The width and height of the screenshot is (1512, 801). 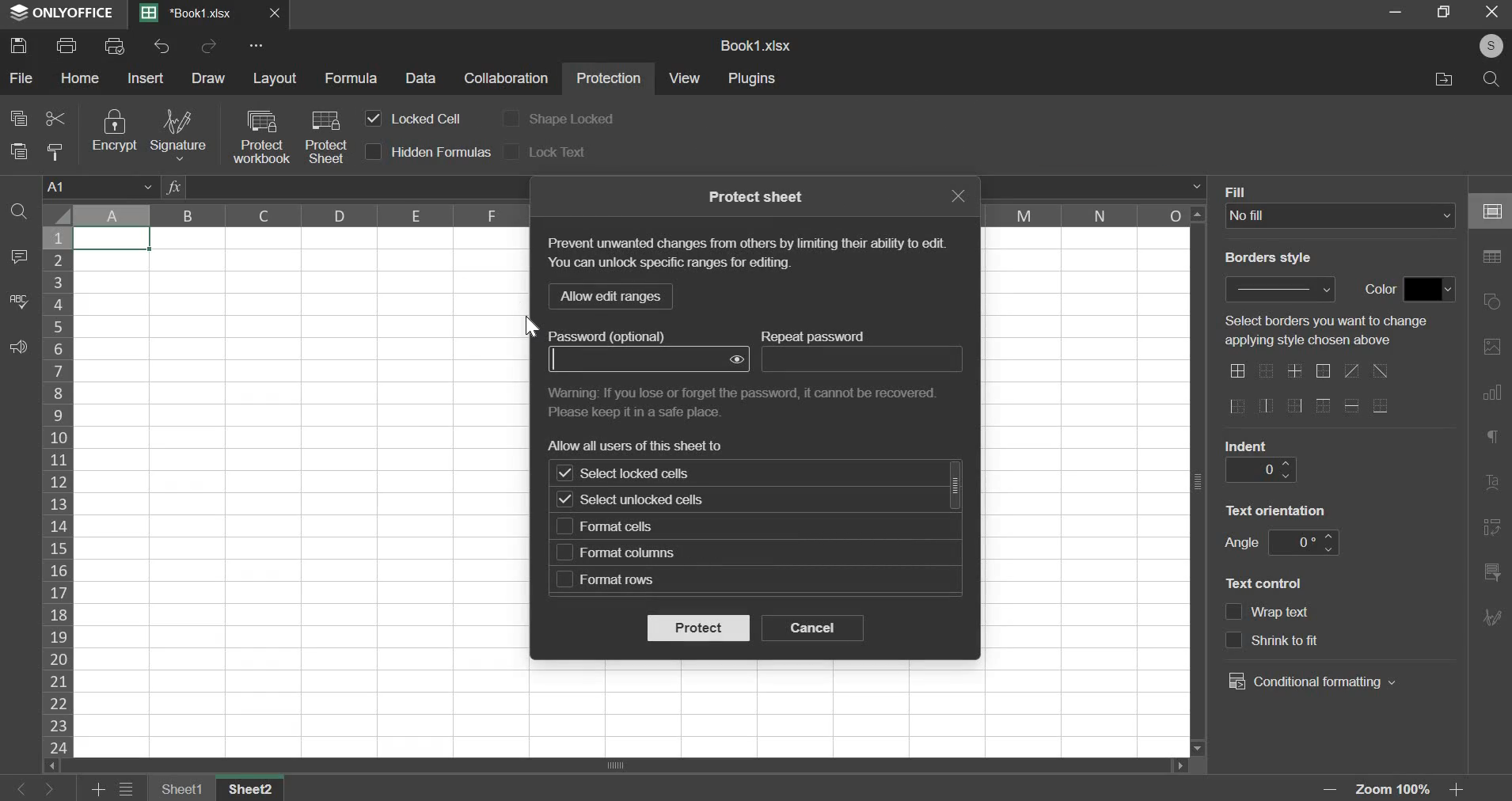 What do you see at coordinates (100, 790) in the screenshot?
I see `add` at bounding box center [100, 790].